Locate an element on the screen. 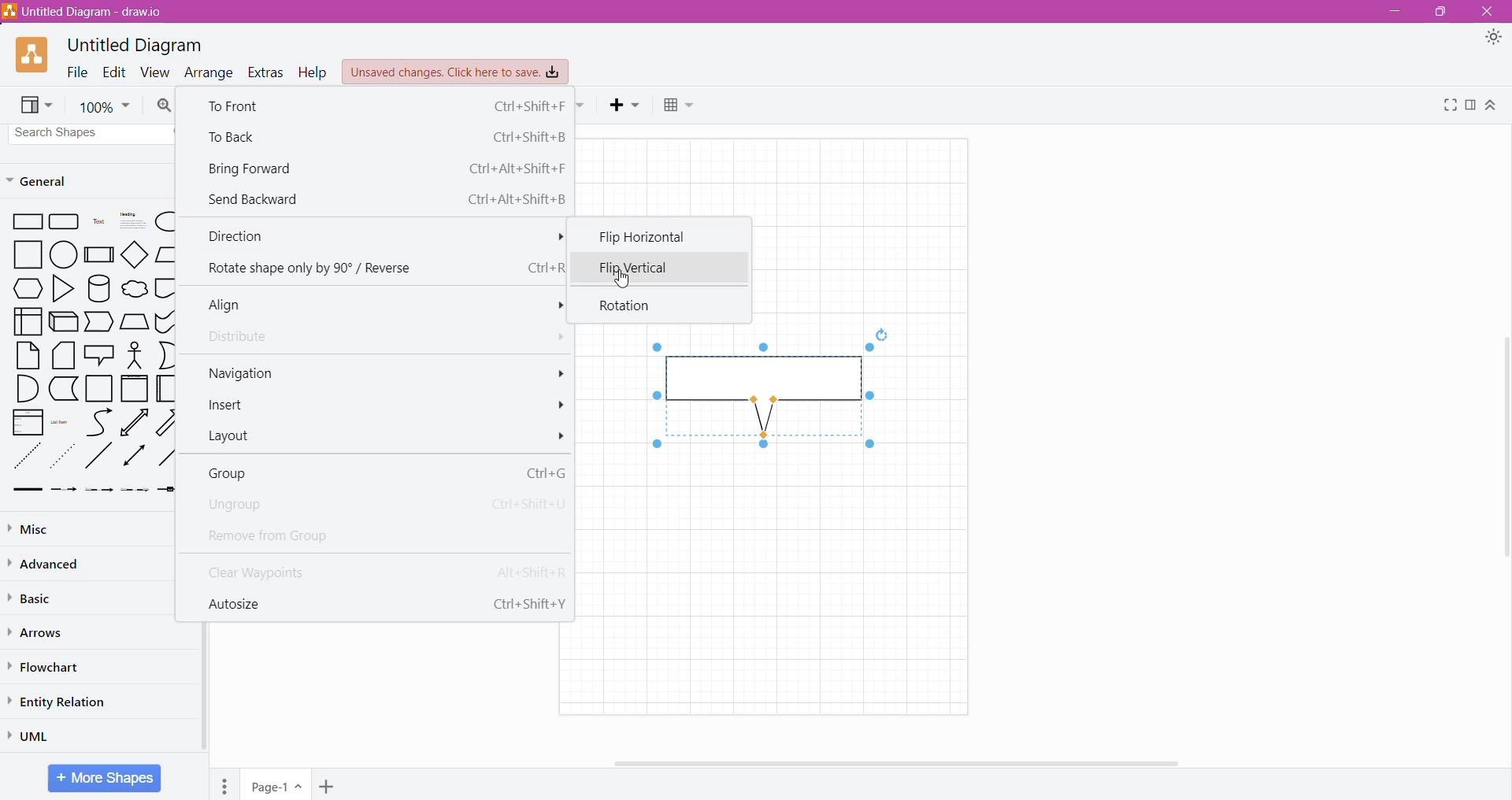  more is located at coordinates (553, 306).